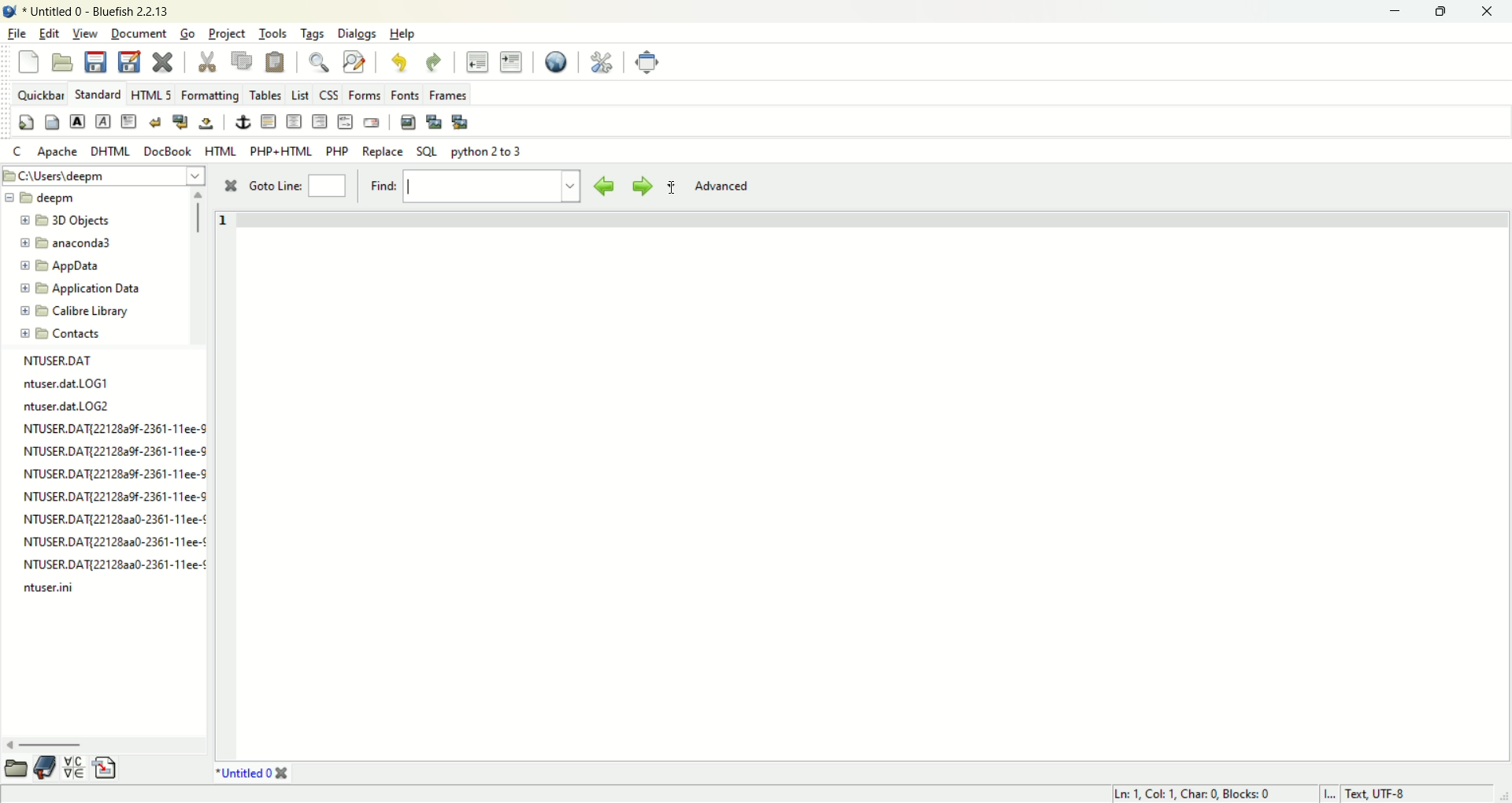 The width and height of the screenshot is (1512, 803). I want to click on document, so click(138, 31).